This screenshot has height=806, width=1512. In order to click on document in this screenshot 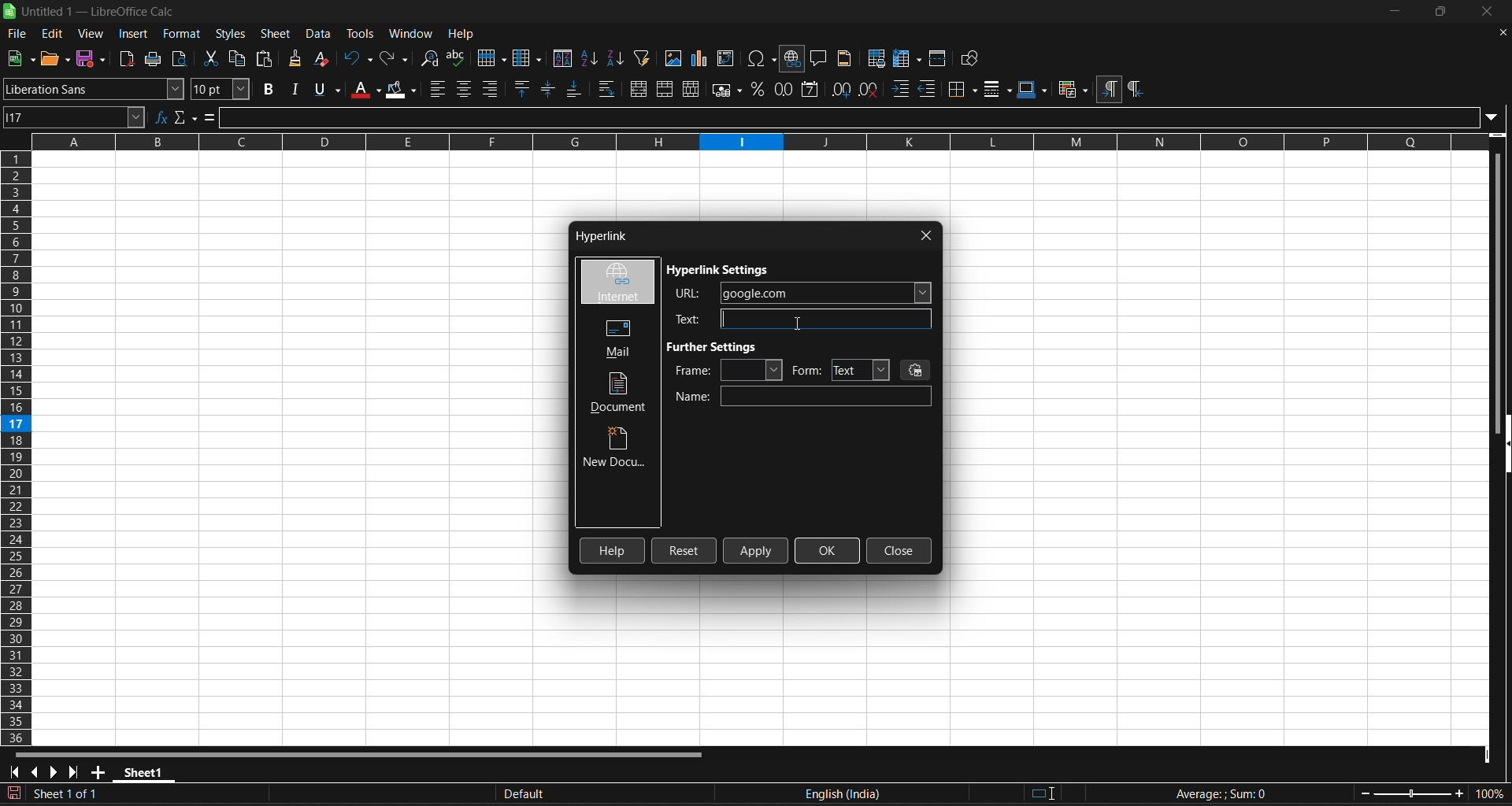, I will do `click(621, 393)`.